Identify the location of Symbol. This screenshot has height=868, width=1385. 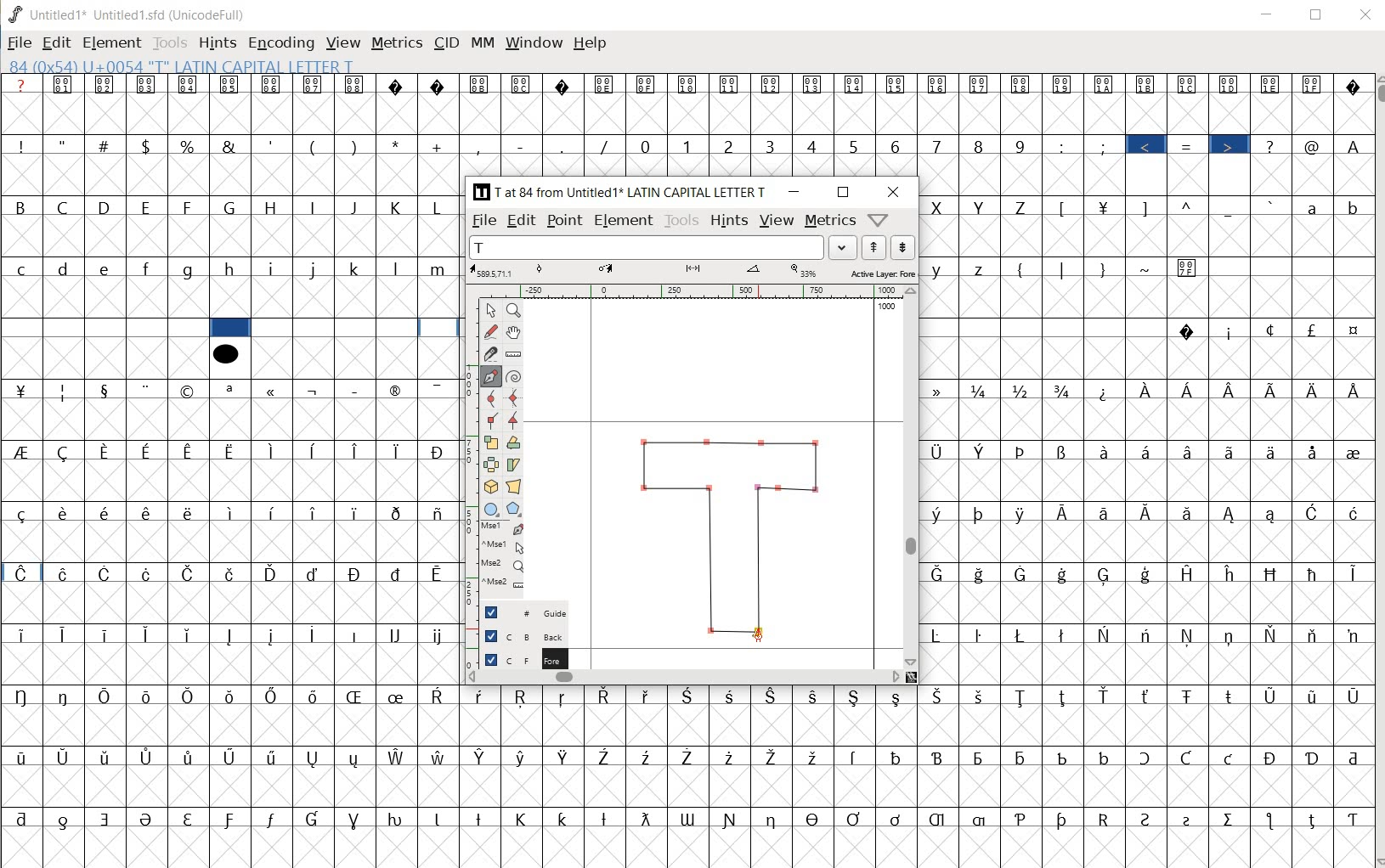
(231, 451).